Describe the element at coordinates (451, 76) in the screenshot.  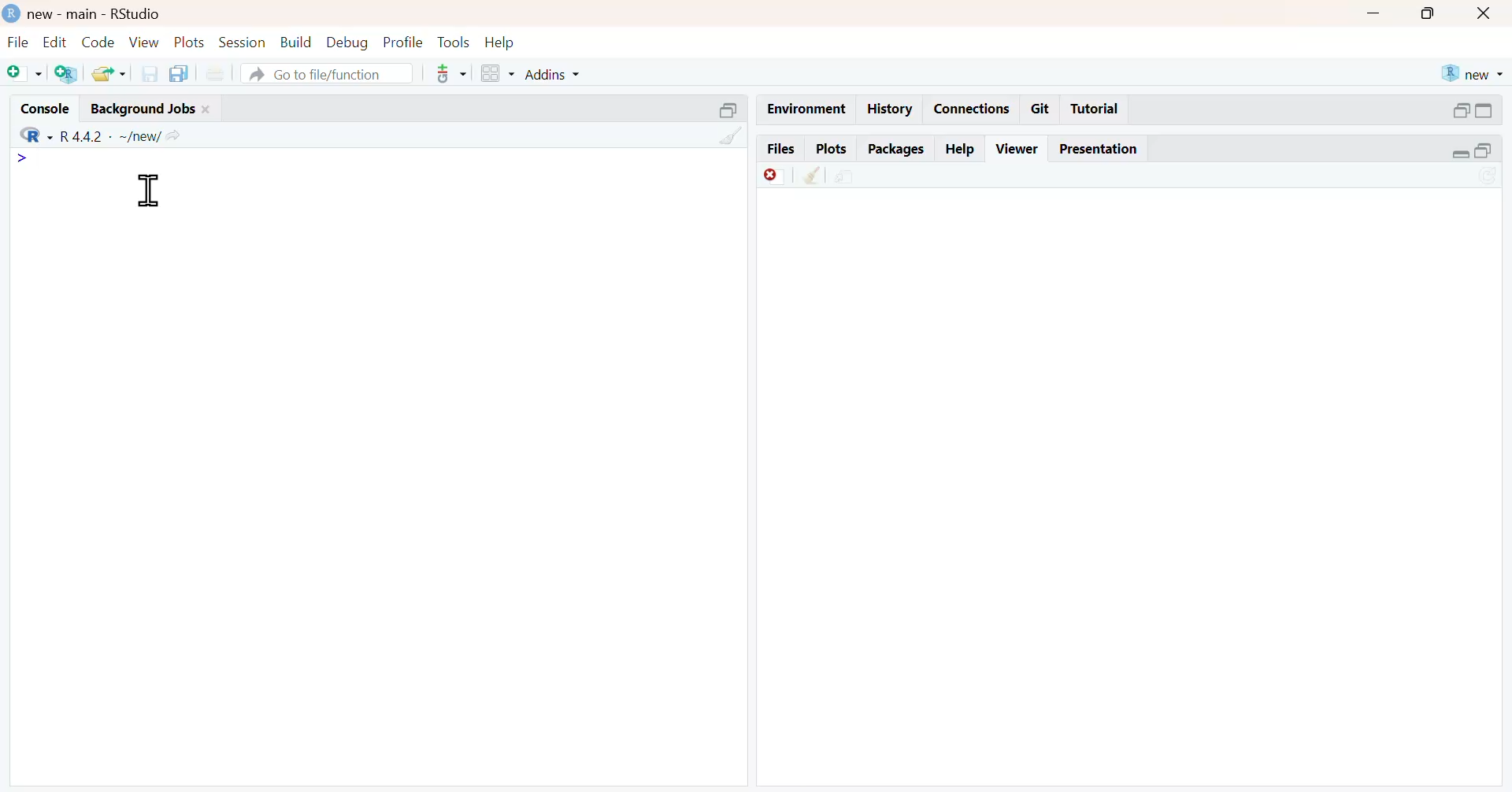
I see `git pane` at that location.